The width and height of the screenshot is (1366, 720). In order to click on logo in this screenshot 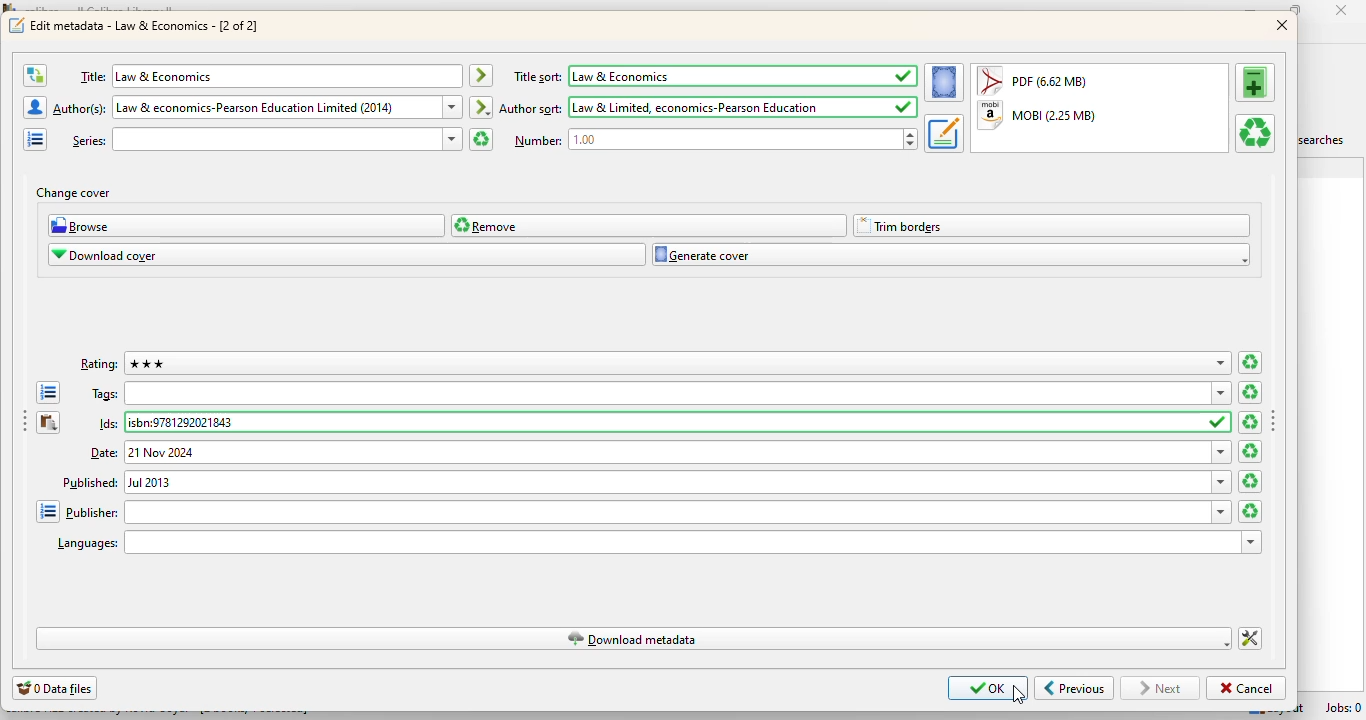, I will do `click(16, 26)`.